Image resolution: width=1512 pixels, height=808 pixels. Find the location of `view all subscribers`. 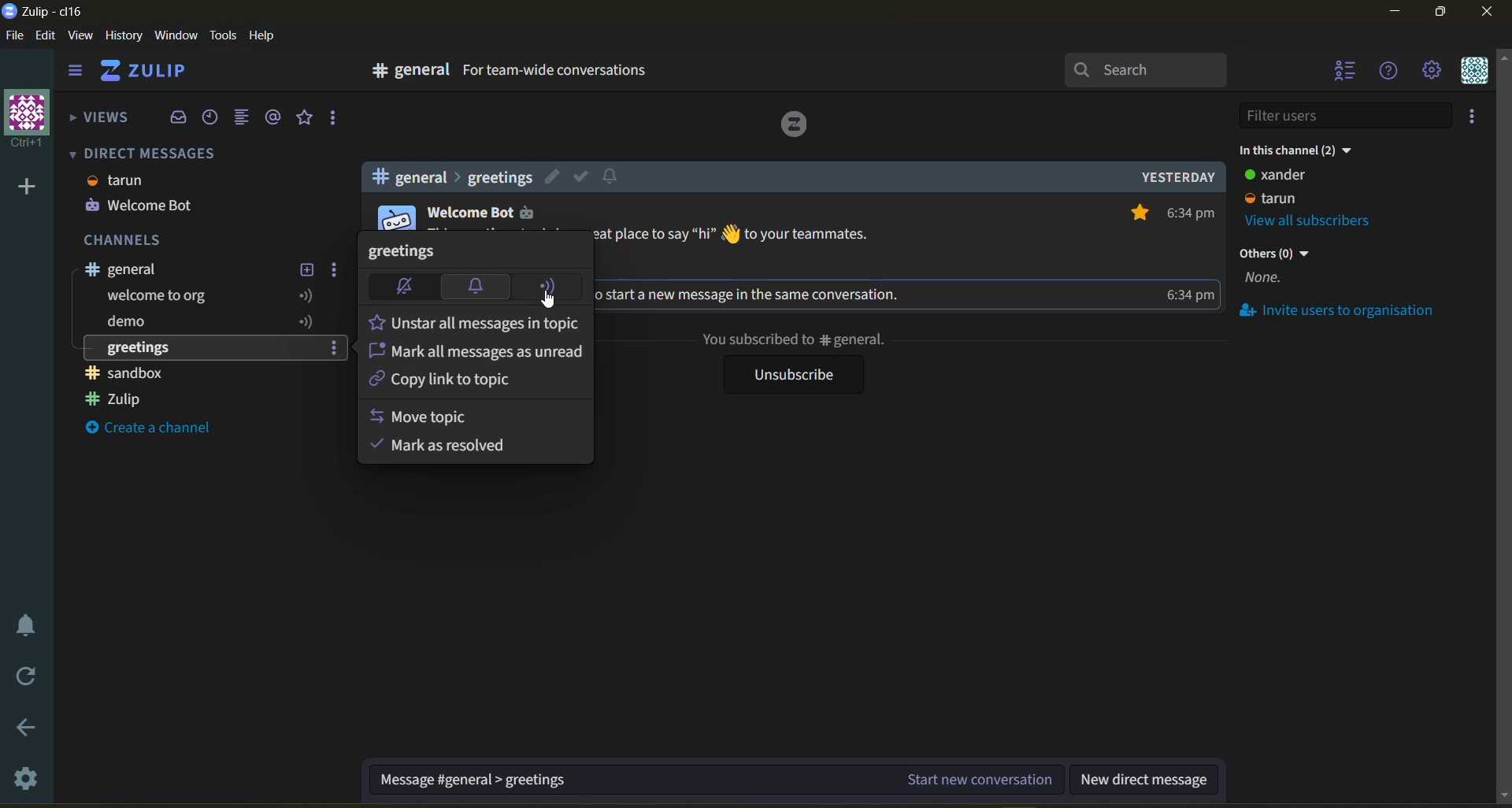

view all subscribers is located at coordinates (1321, 220).